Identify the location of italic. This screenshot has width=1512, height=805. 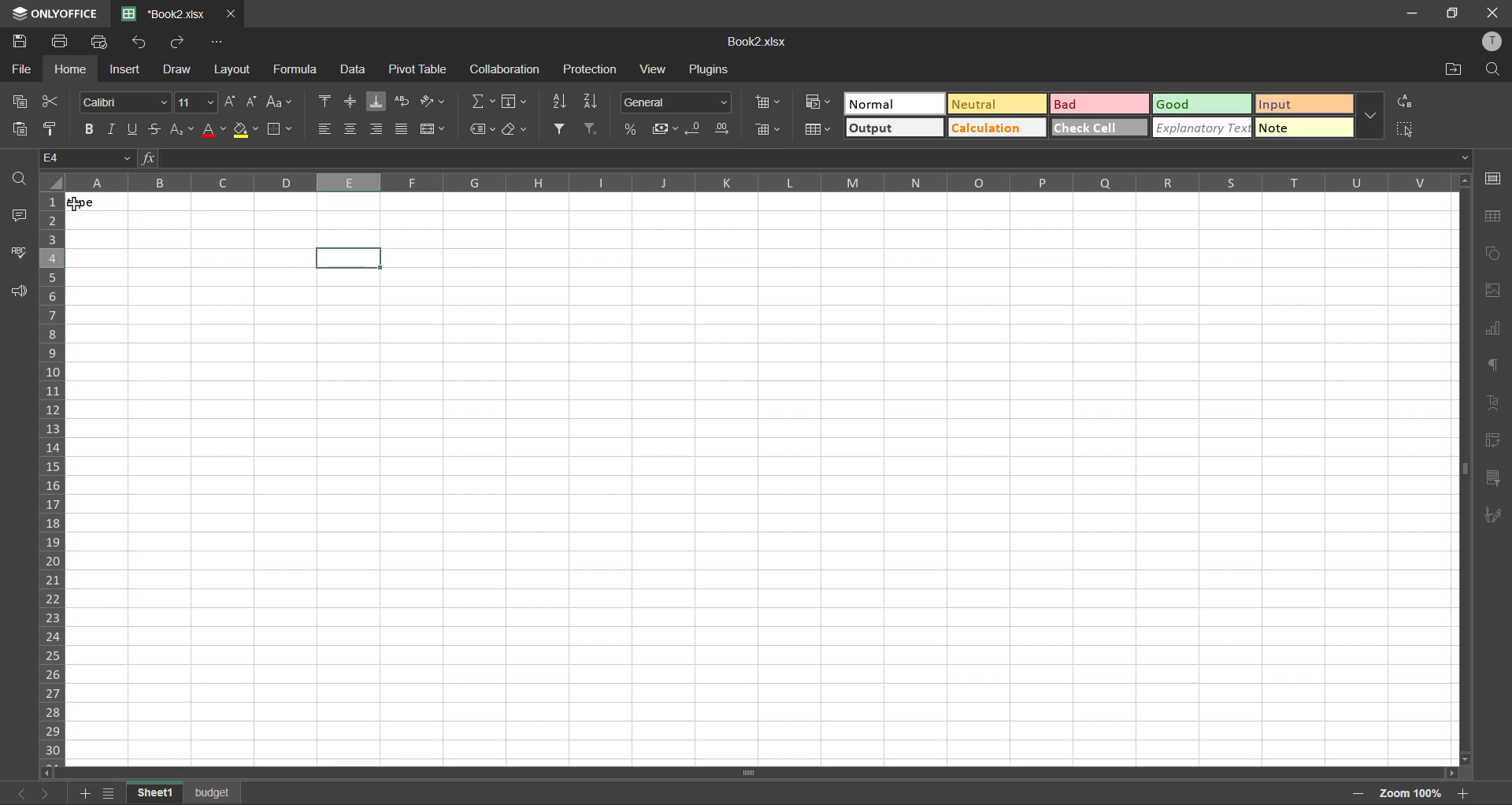
(110, 129).